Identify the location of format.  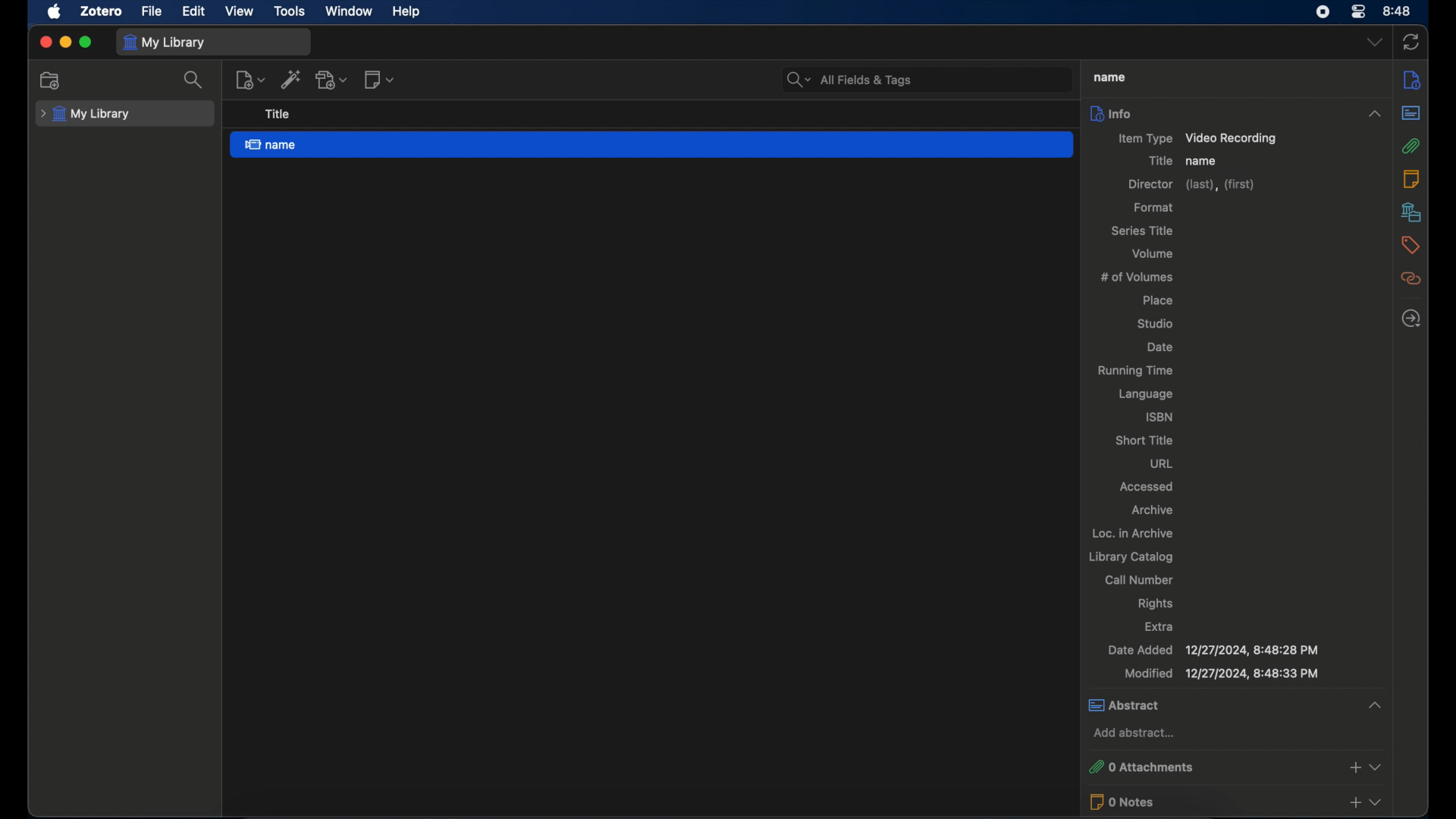
(1155, 208).